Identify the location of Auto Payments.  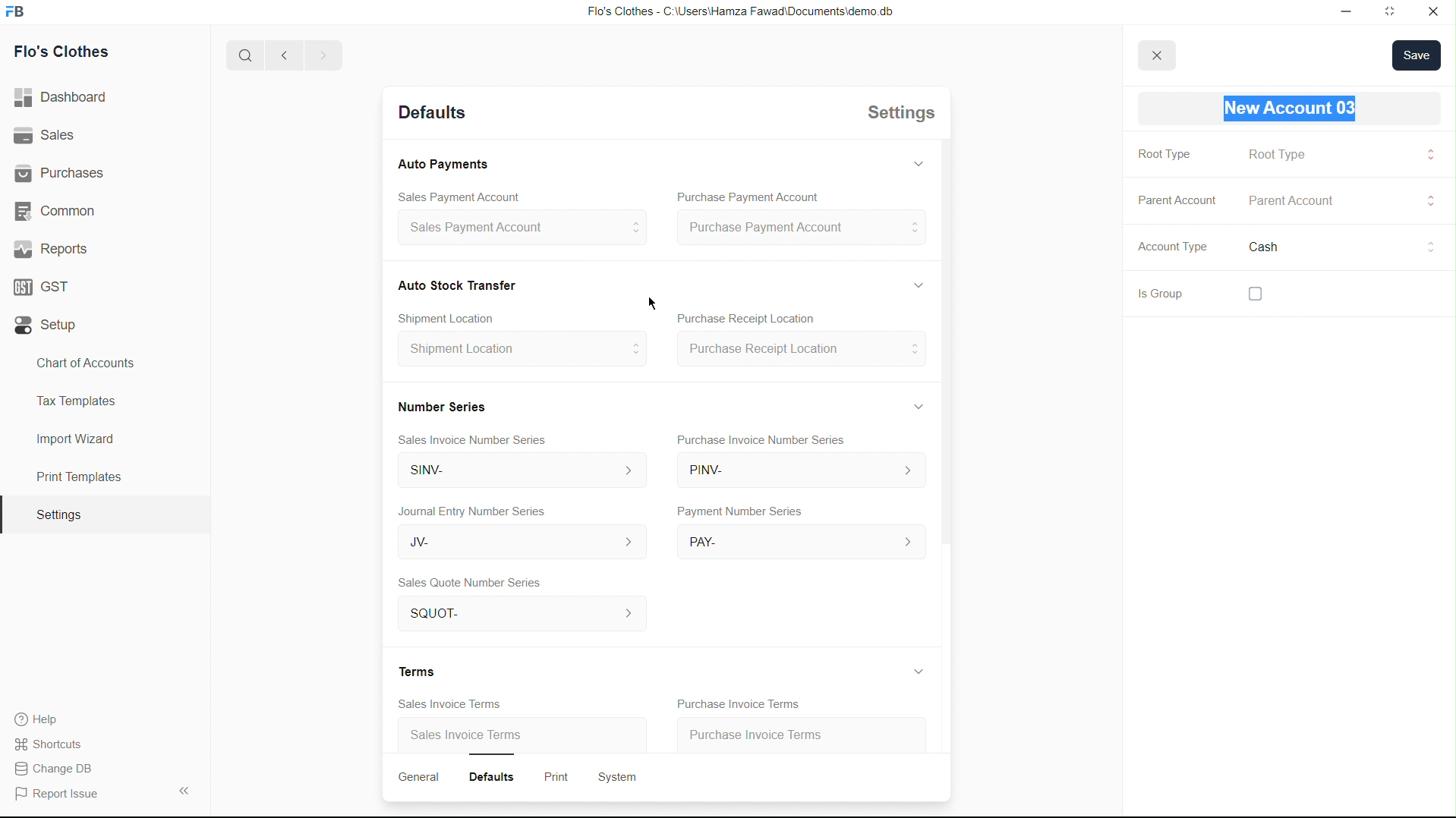
(443, 165).